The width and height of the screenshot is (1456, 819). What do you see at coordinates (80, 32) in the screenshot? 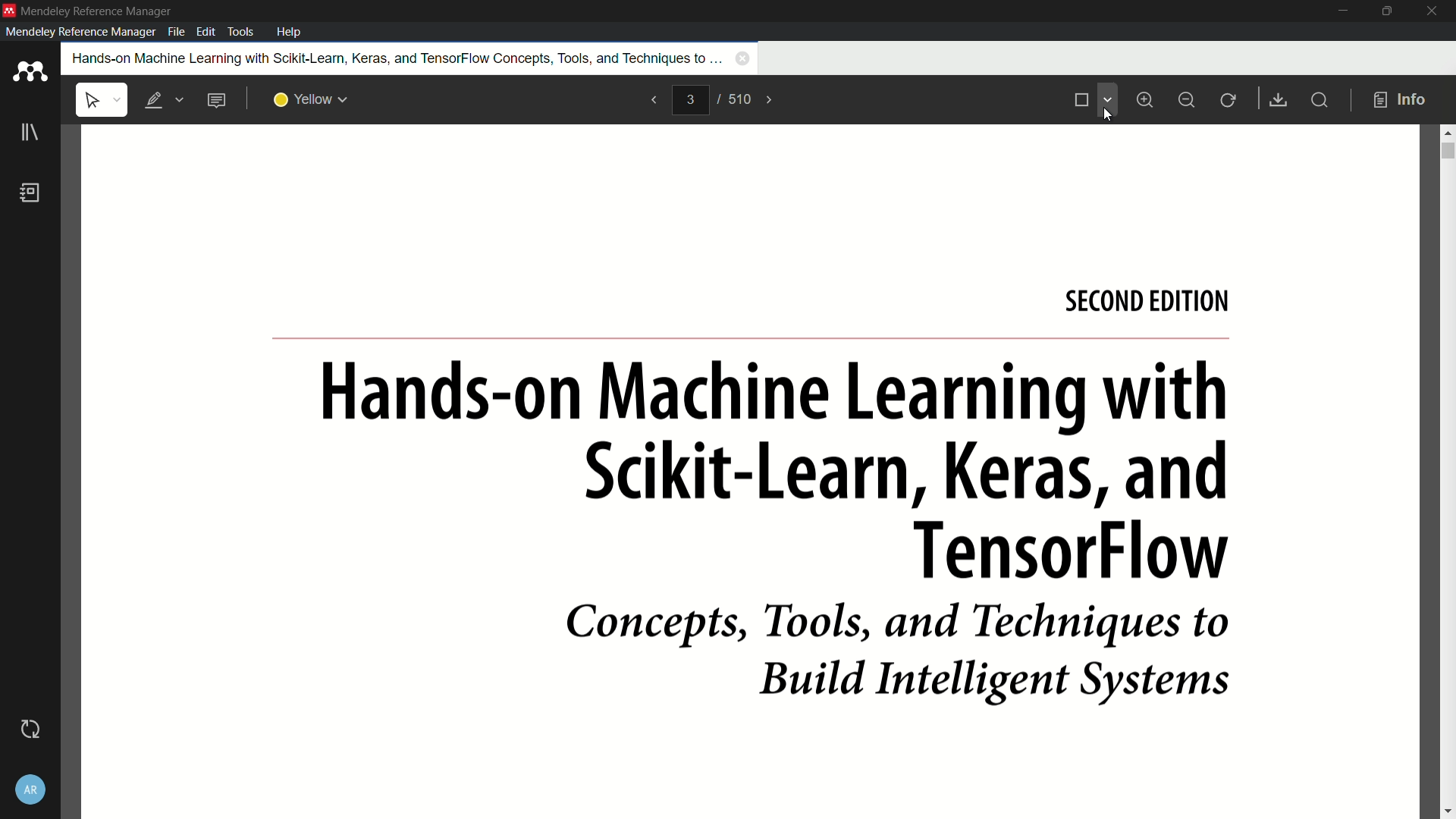
I see `mendeley reference manager` at bounding box center [80, 32].